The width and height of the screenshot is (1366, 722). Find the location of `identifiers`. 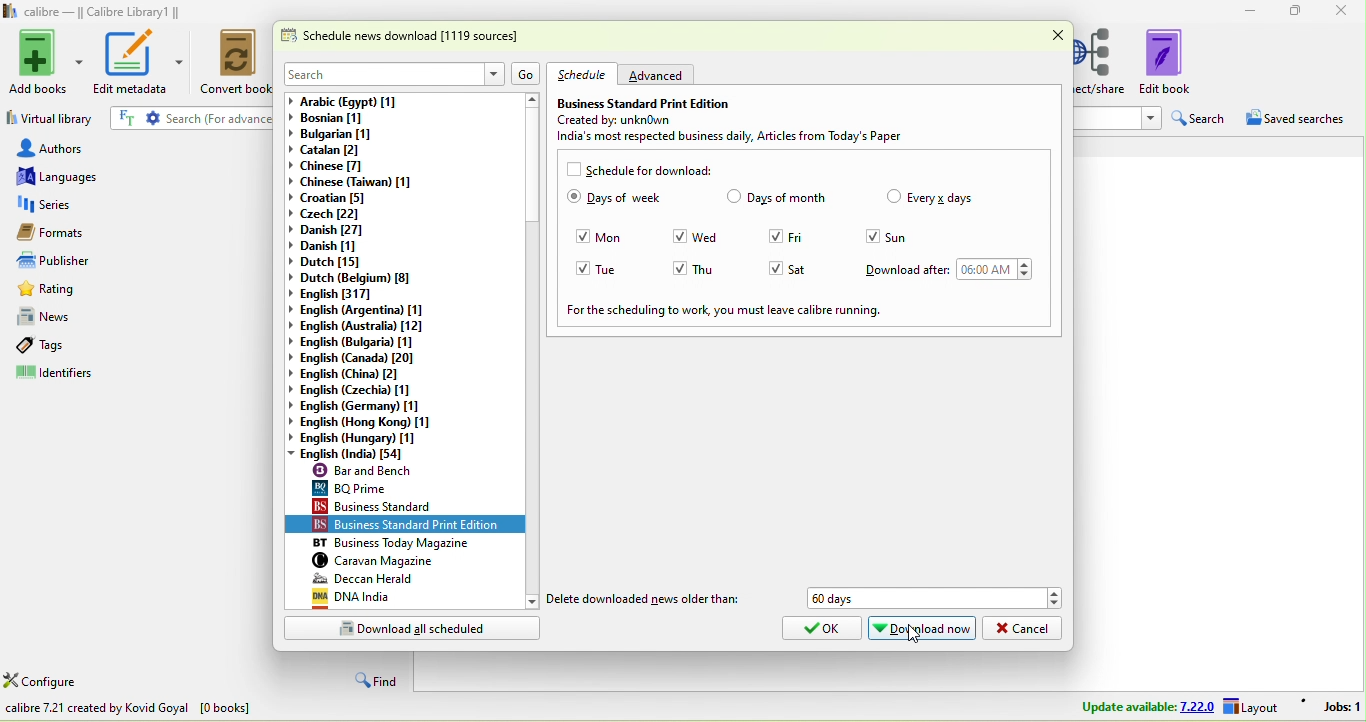

identifiers is located at coordinates (138, 376).